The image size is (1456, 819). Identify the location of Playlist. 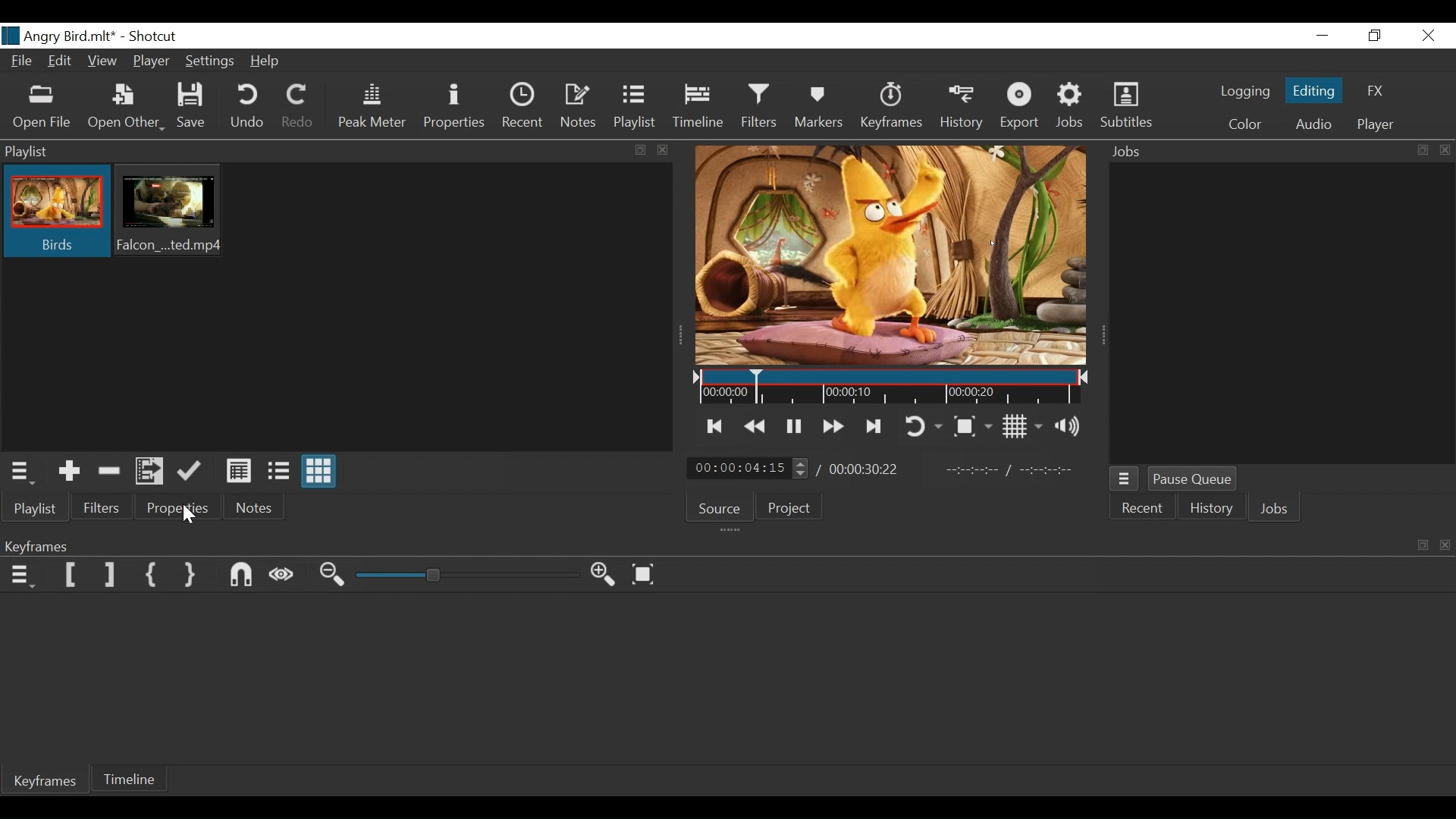
(635, 106).